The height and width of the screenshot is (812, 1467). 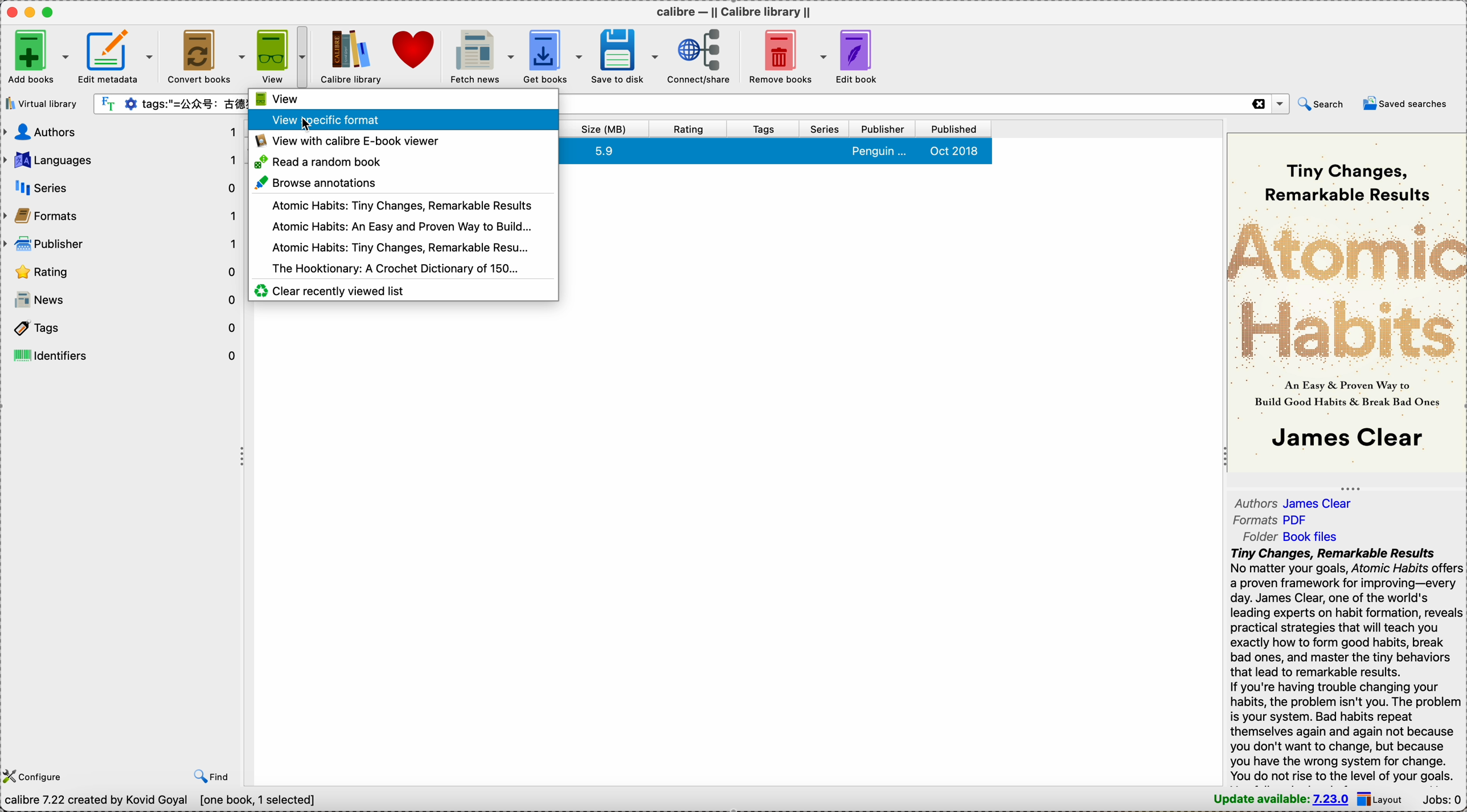 What do you see at coordinates (1346, 304) in the screenshot?
I see `book cover preview` at bounding box center [1346, 304].